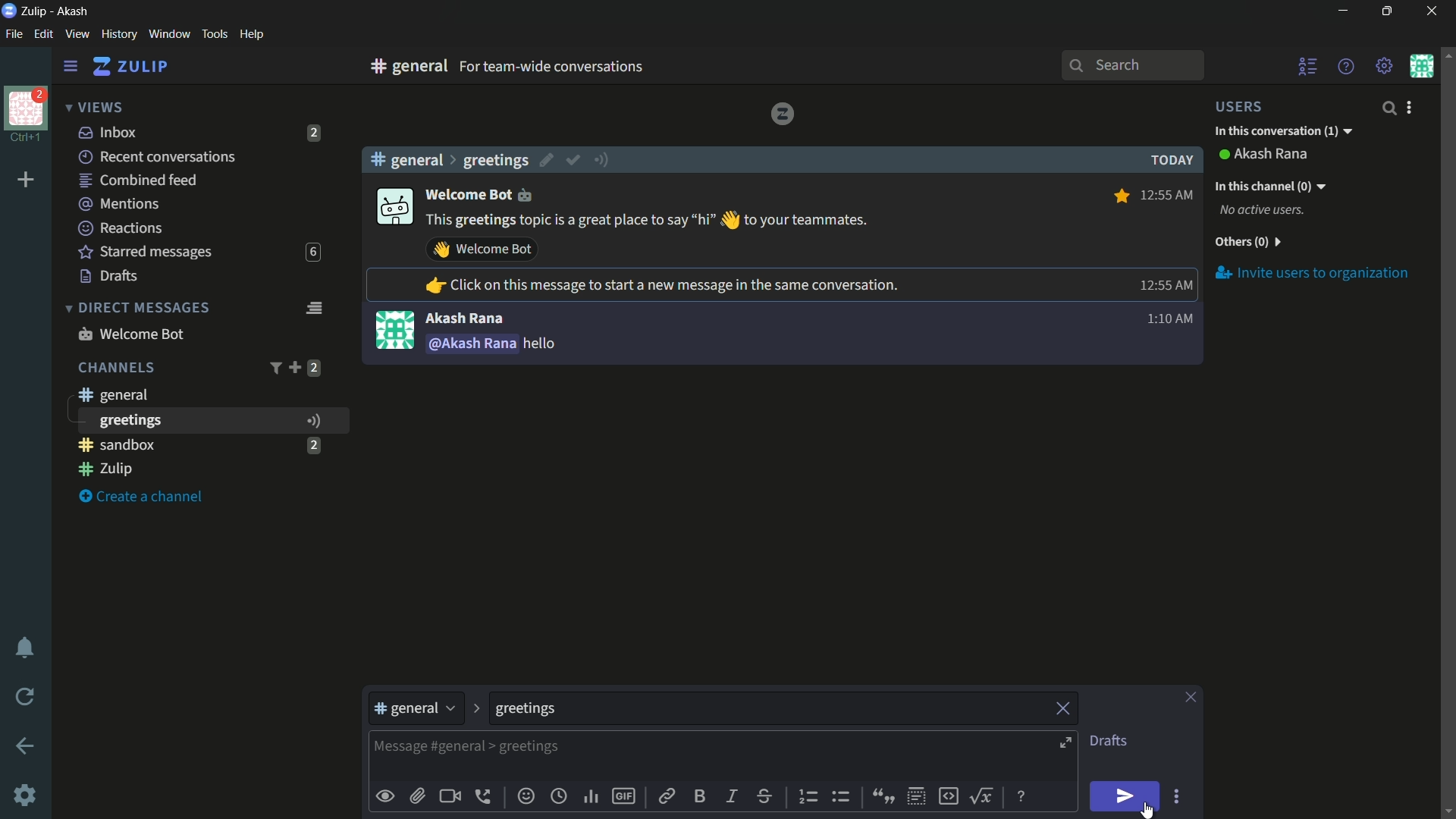  Describe the element at coordinates (74, 12) in the screenshot. I see `Akash` at that location.